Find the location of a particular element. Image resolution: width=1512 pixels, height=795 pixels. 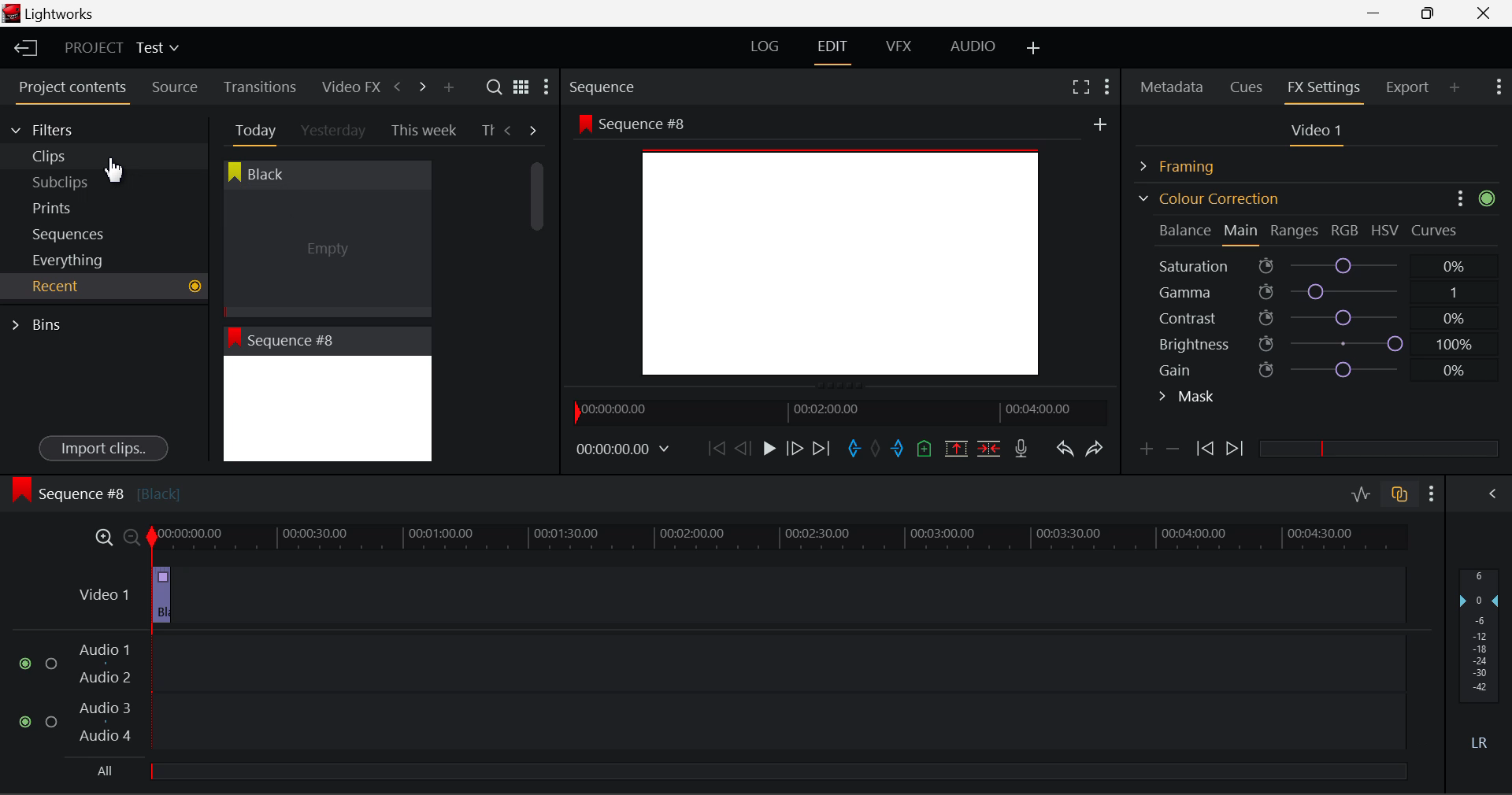

Mark Out is located at coordinates (899, 449).